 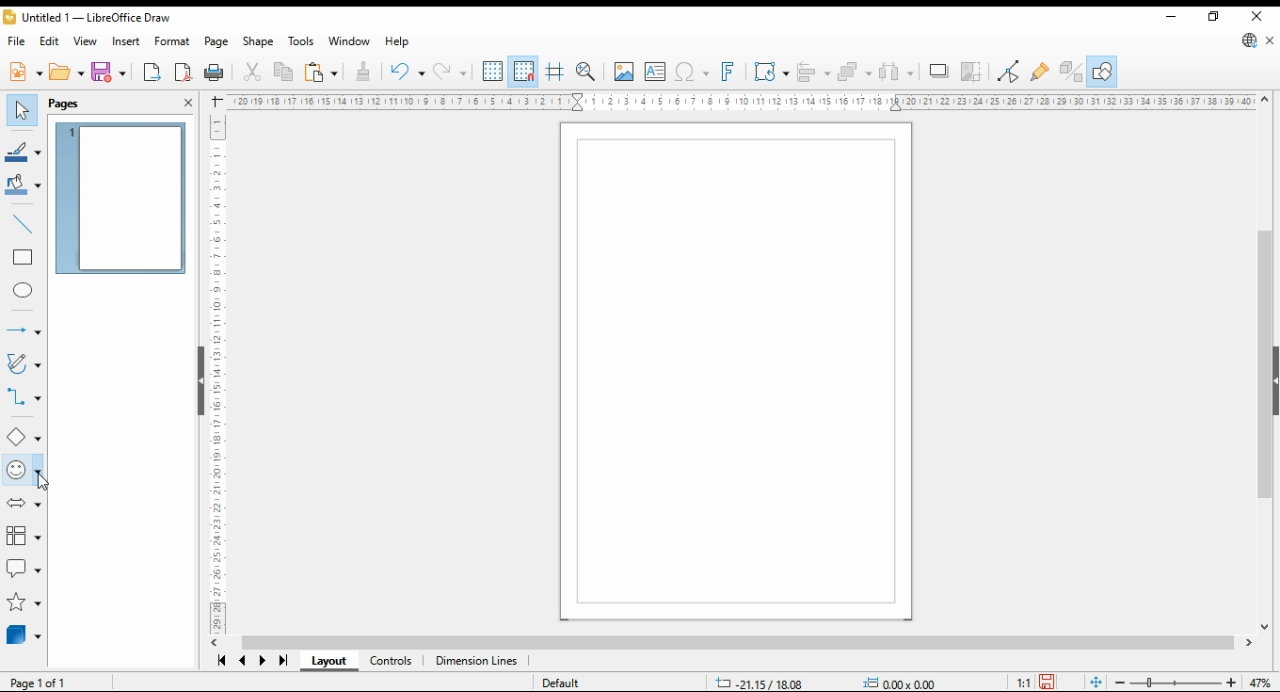 I want to click on close formatting, so click(x=364, y=71).